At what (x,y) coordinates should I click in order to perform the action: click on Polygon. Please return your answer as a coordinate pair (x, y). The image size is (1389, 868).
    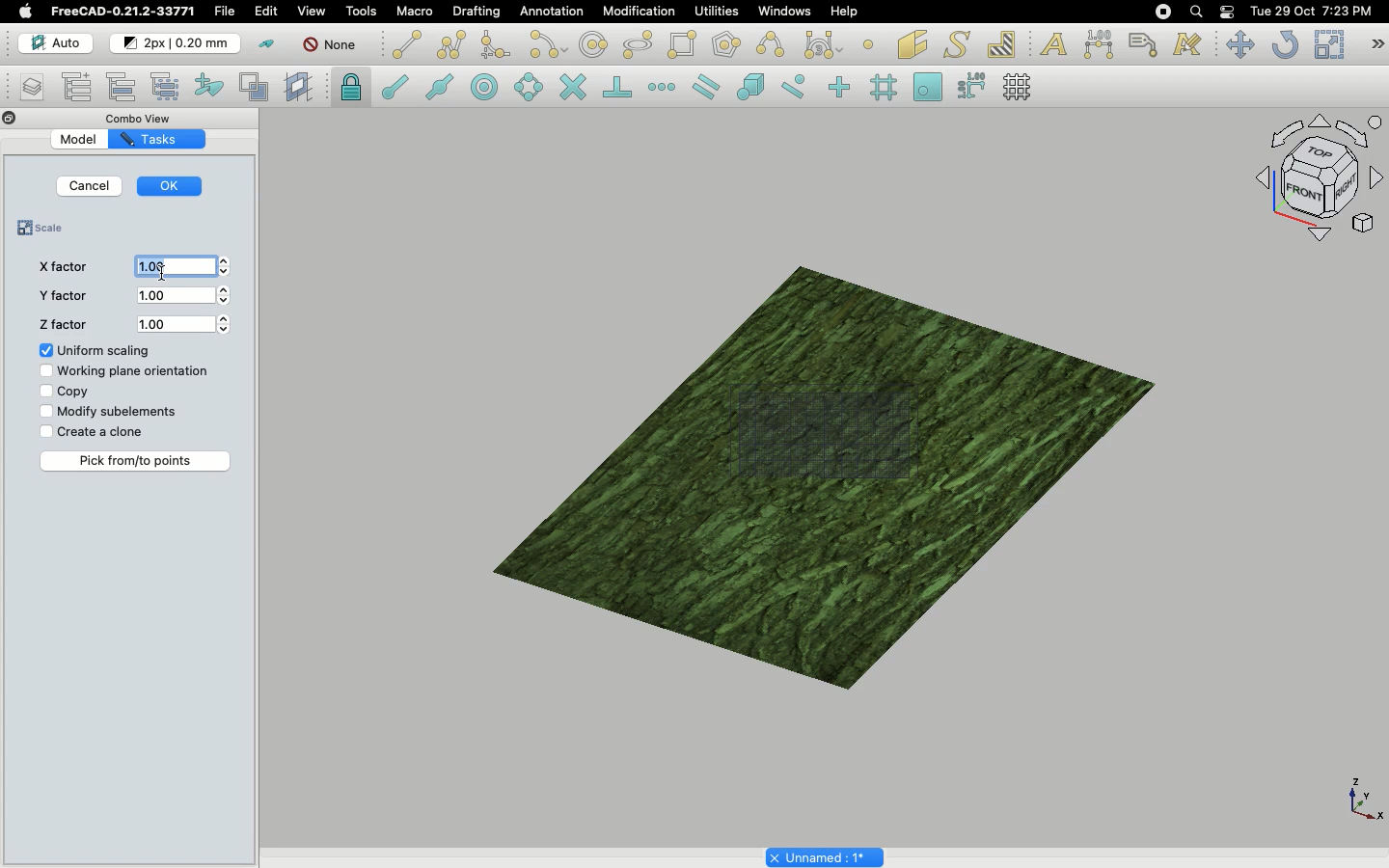
    Looking at the image, I should click on (724, 45).